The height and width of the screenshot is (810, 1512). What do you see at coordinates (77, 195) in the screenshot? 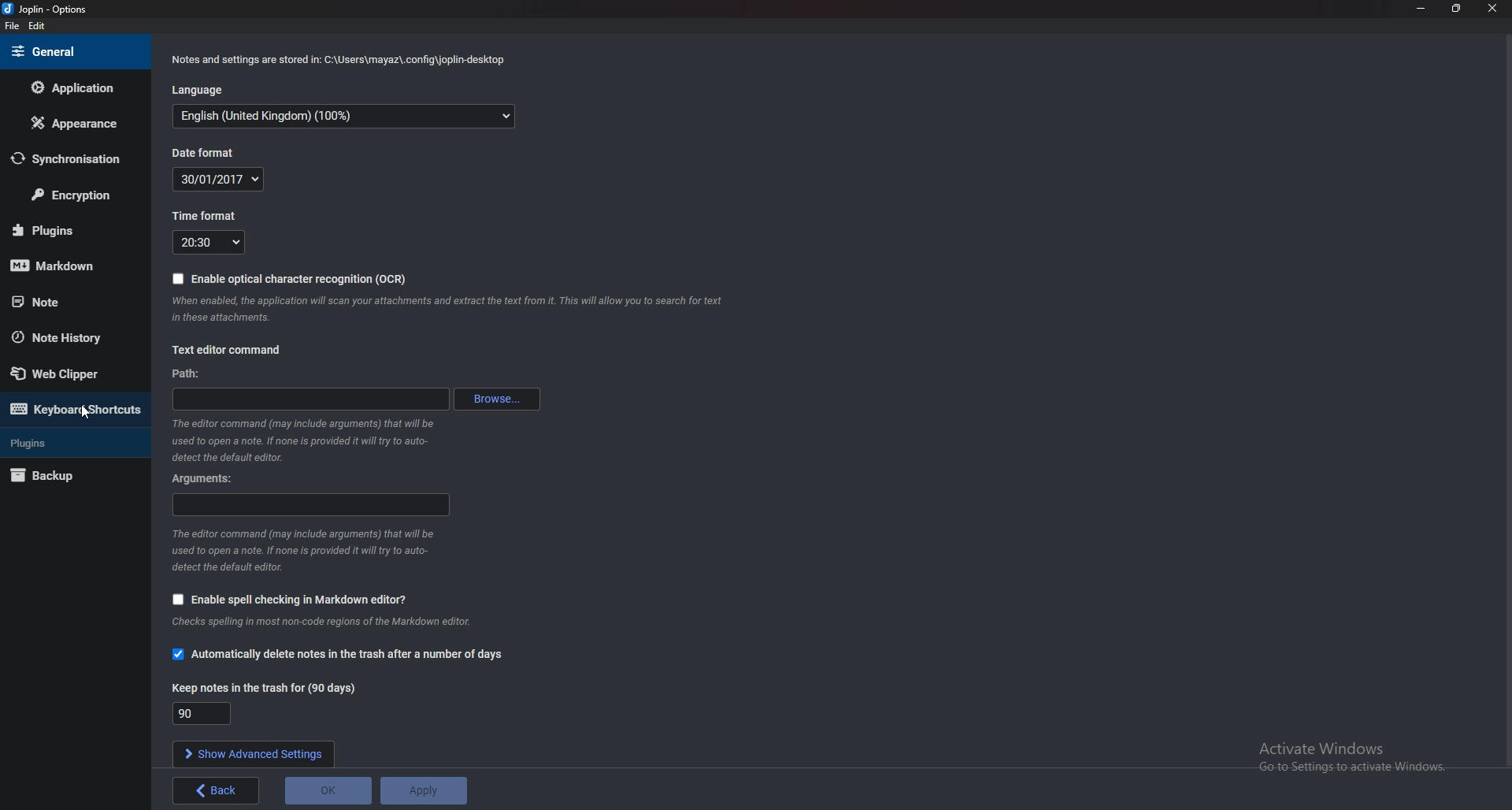
I see `Encryption` at bounding box center [77, 195].